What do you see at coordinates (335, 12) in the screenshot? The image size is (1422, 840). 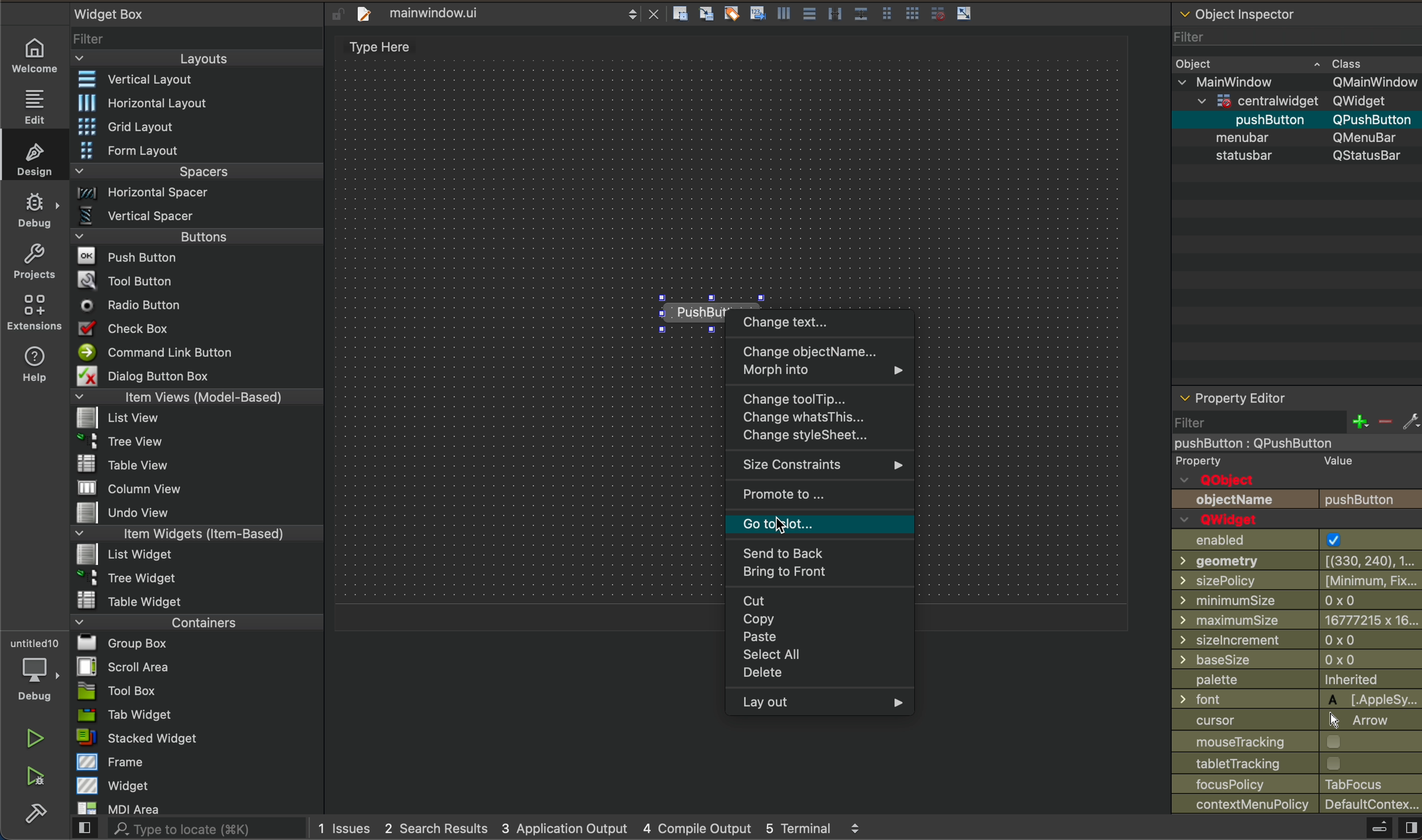 I see `lock` at bounding box center [335, 12].